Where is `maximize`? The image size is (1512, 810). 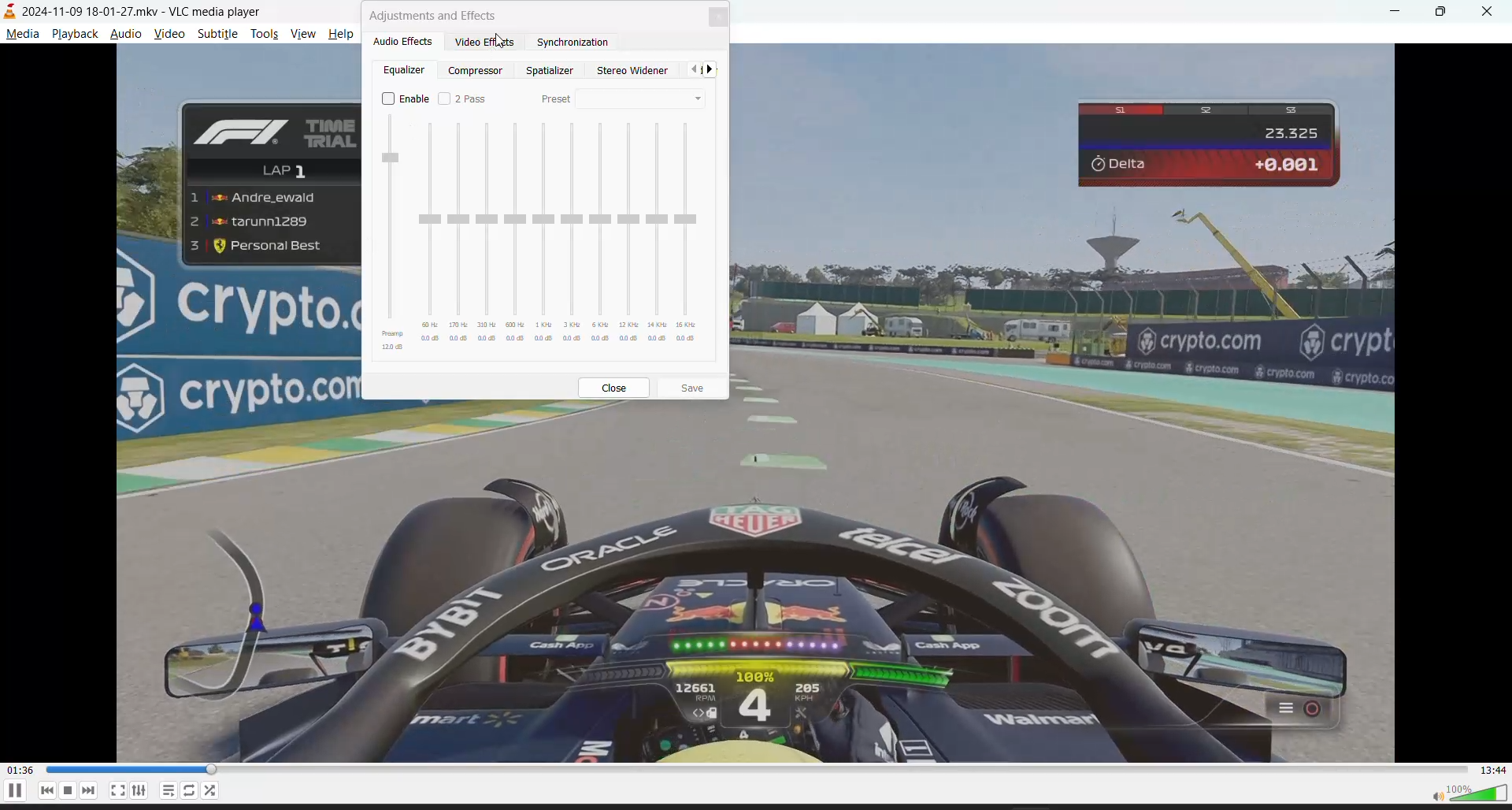
maximize is located at coordinates (1442, 10).